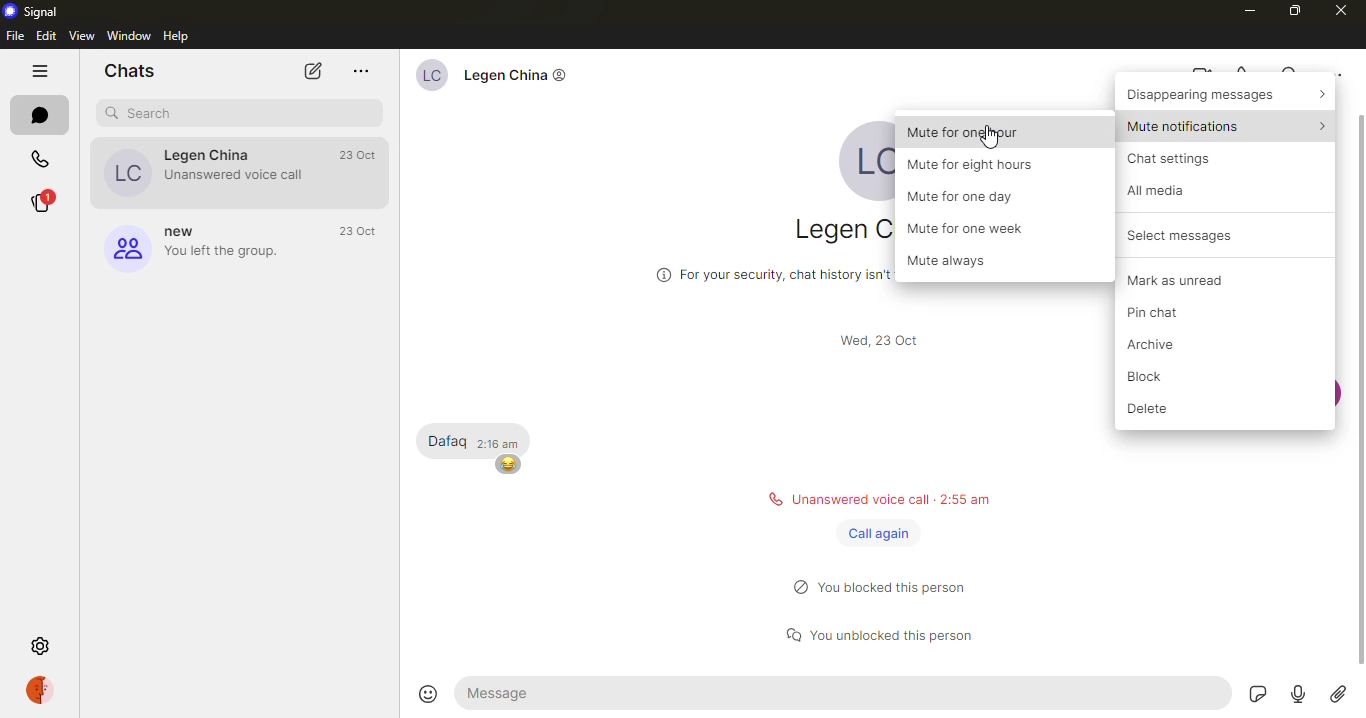 Image resolution: width=1366 pixels, height=718 pixels. I want to click on scroll bar, so click(1360, 387).